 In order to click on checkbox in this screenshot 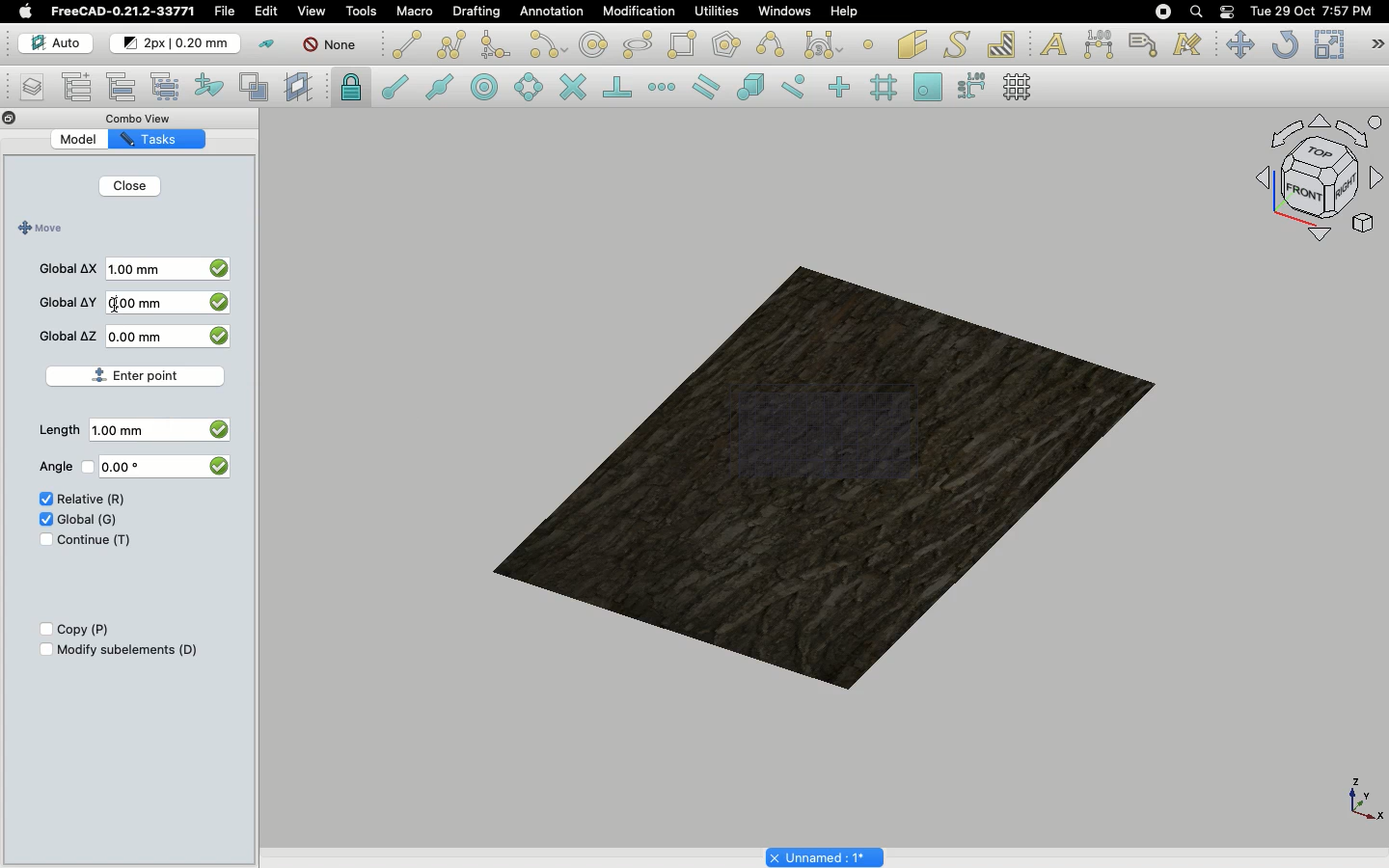, I will do `click(222, 339)`.